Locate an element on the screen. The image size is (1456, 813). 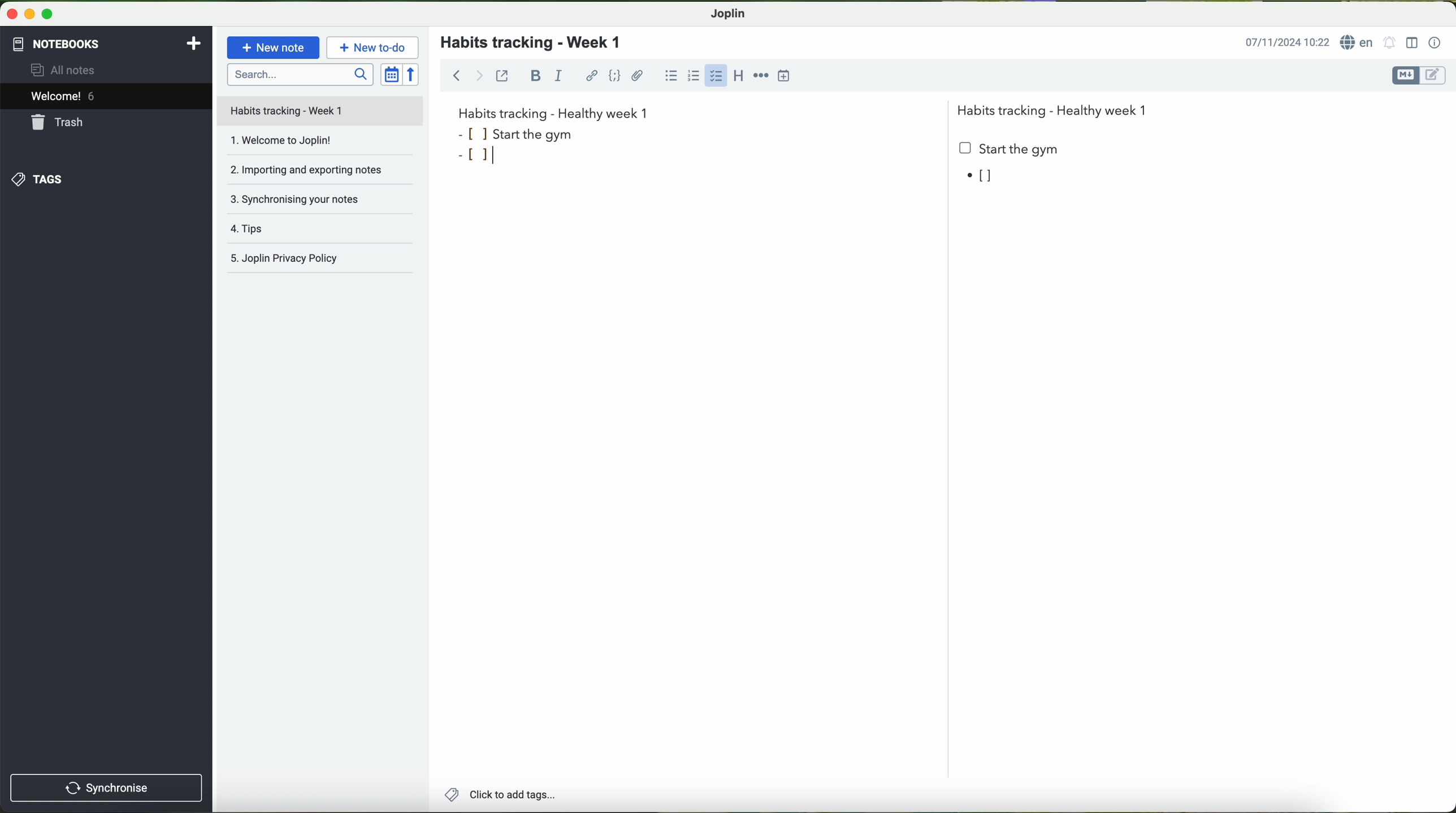
search bar is located at coordinates (299, 74).